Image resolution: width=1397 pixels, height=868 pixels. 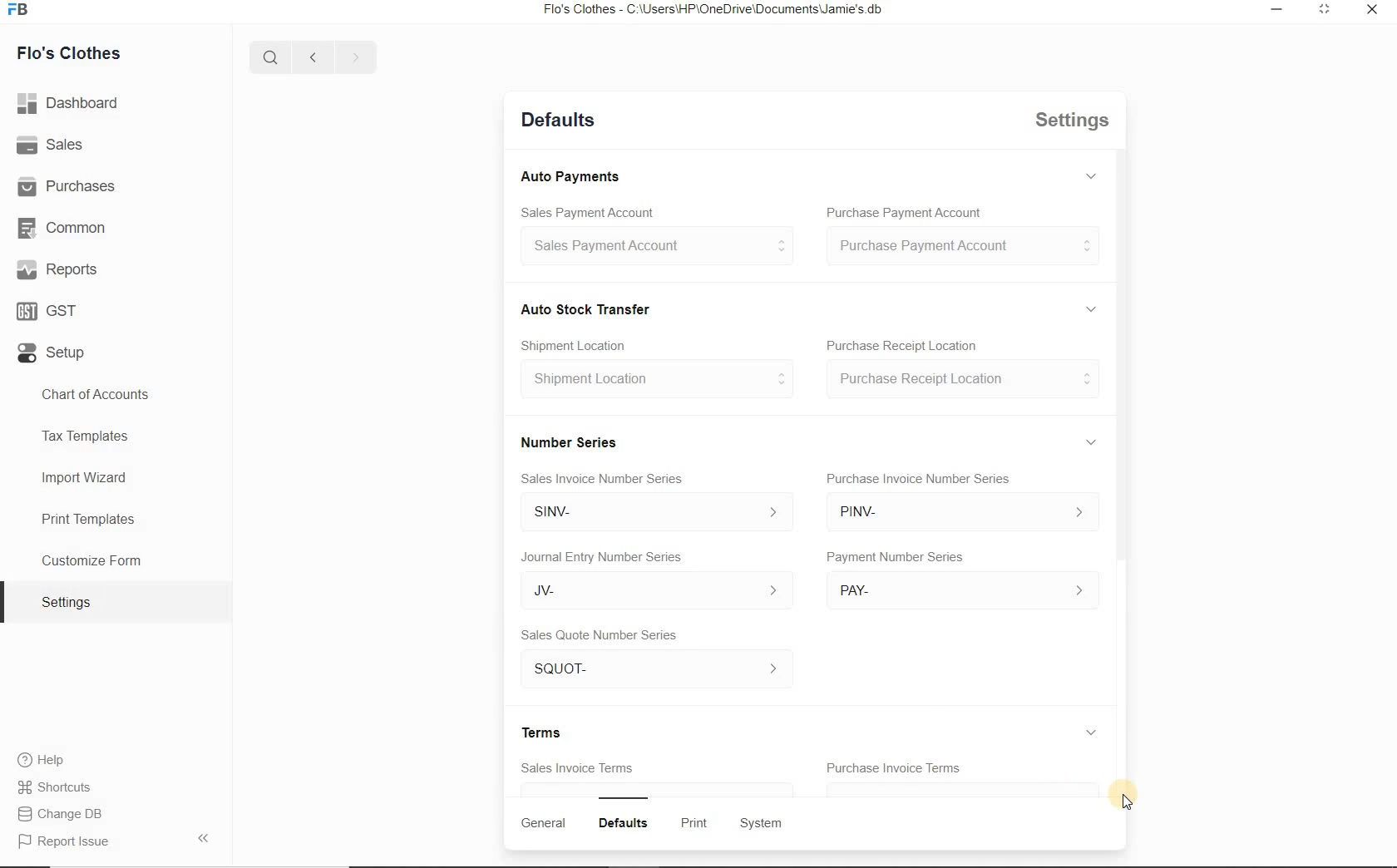 What do you see at coordinates (602, 555) in the screenshot?
I see `Journal Entry Number Series` at bounding box center [602, 555].